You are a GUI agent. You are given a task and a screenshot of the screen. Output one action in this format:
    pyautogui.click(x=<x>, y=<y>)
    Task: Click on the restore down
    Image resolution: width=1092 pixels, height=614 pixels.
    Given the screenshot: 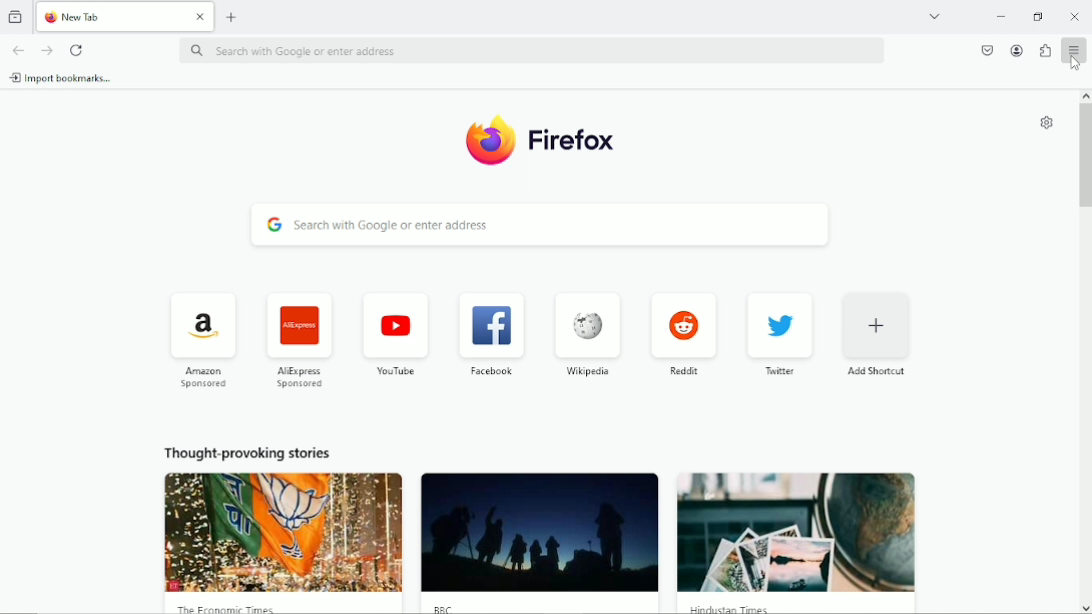 What is the action you would take?
    pyautogui.click(x=1038, y=16)
    